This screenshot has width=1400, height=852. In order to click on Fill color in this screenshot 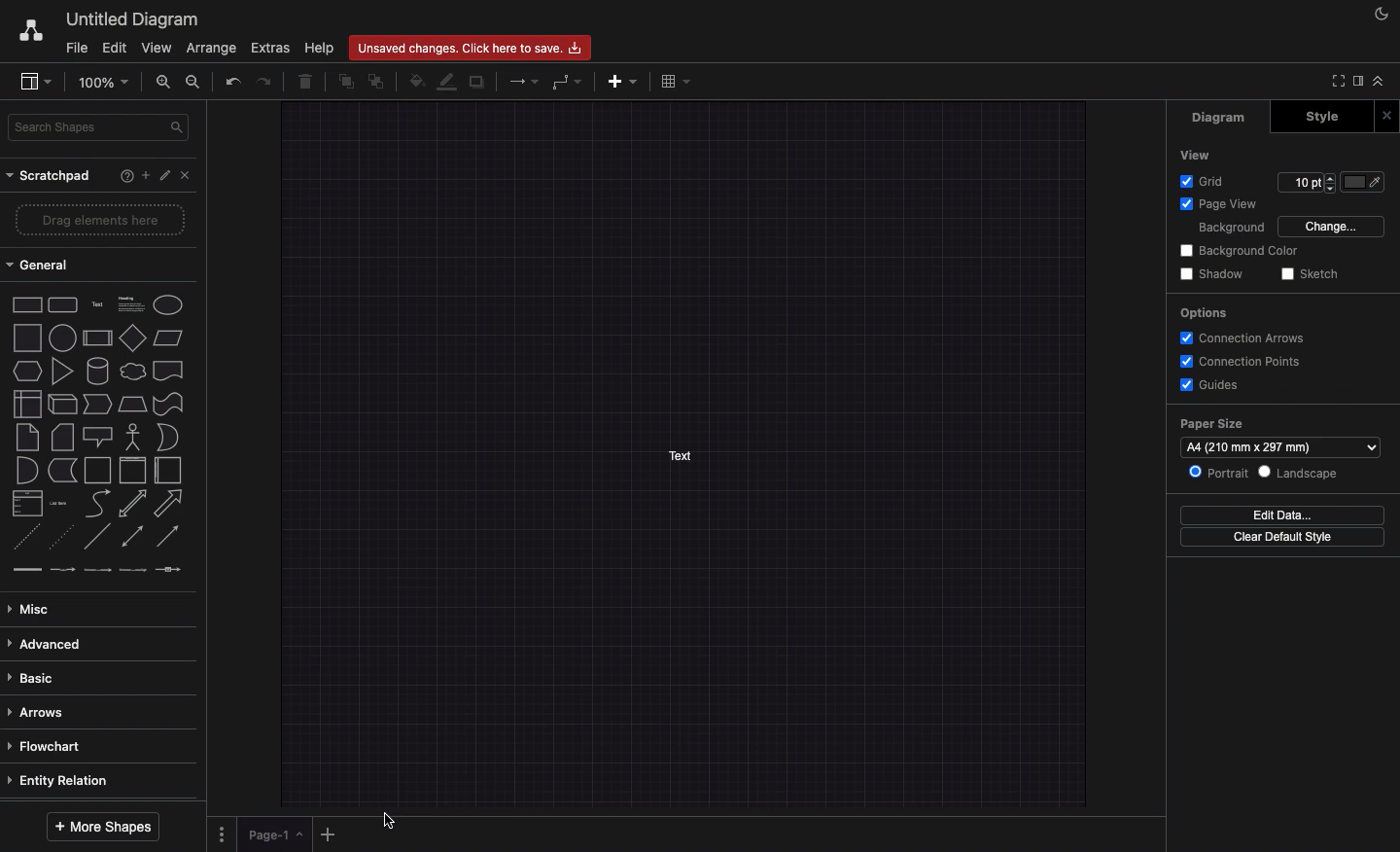, I will do `click(1368, 182)`.